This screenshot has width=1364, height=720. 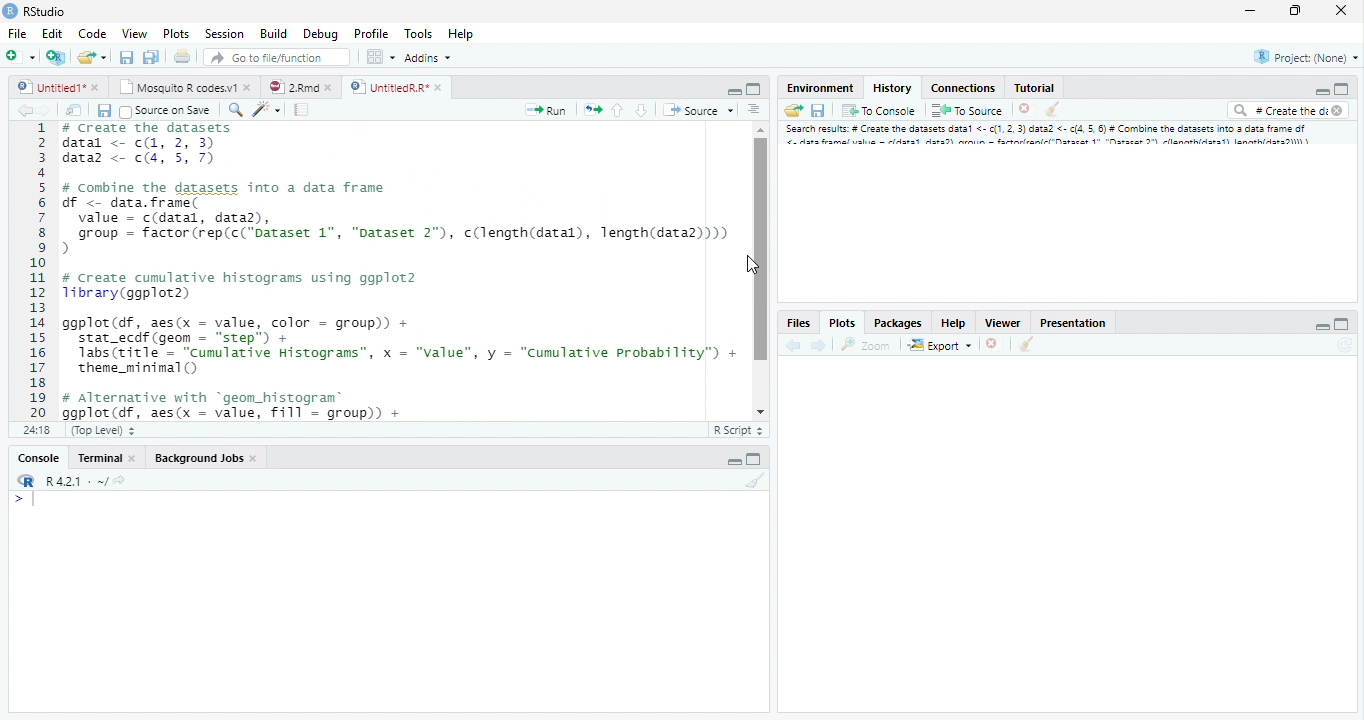 I want to click on Pages, so click(x=300, y=111).